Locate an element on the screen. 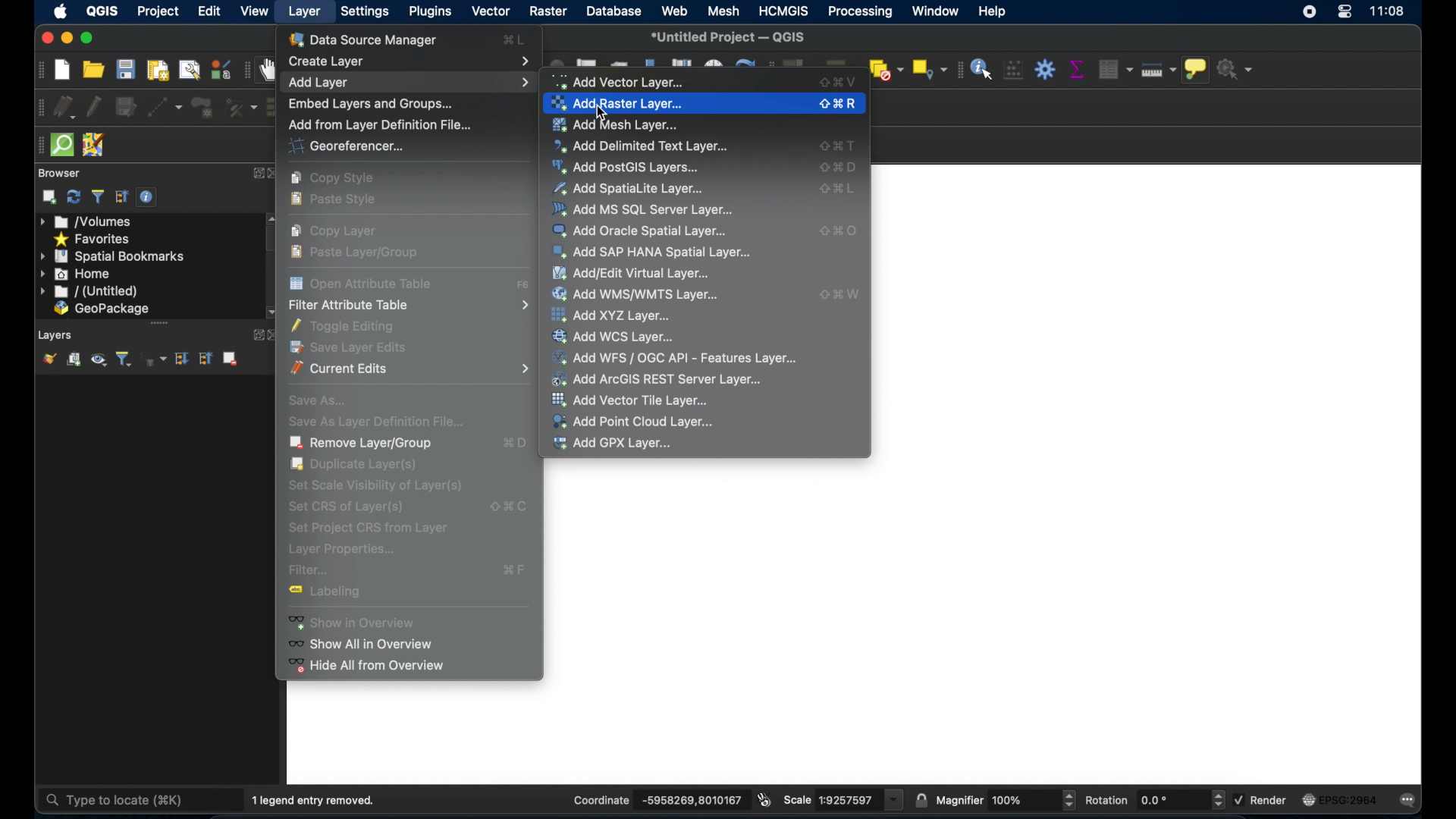 The height and width of the screenshot is (819, 1456). set csr of layers is located at coordinates (350, 507).